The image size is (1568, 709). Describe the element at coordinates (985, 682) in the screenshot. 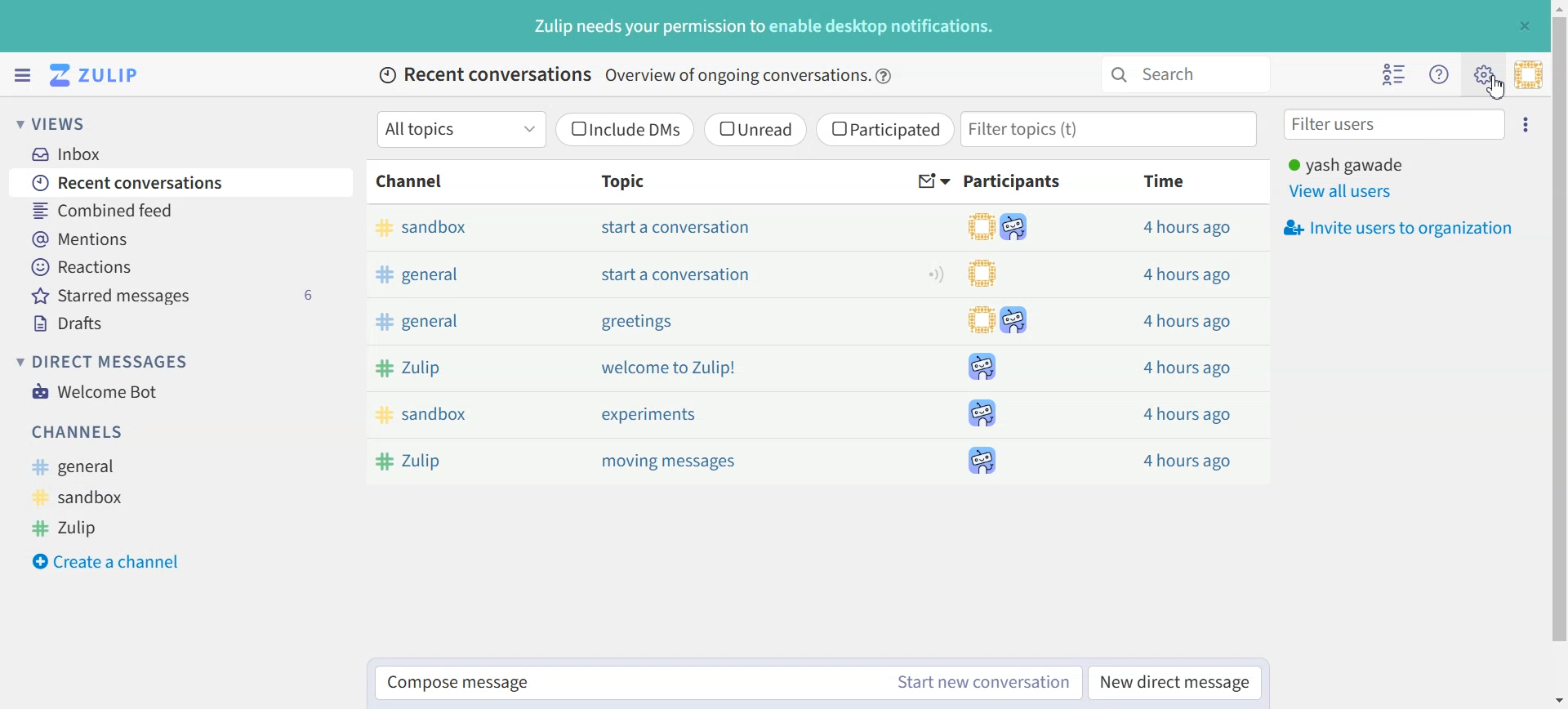

I see `Start new conversation` at that location.